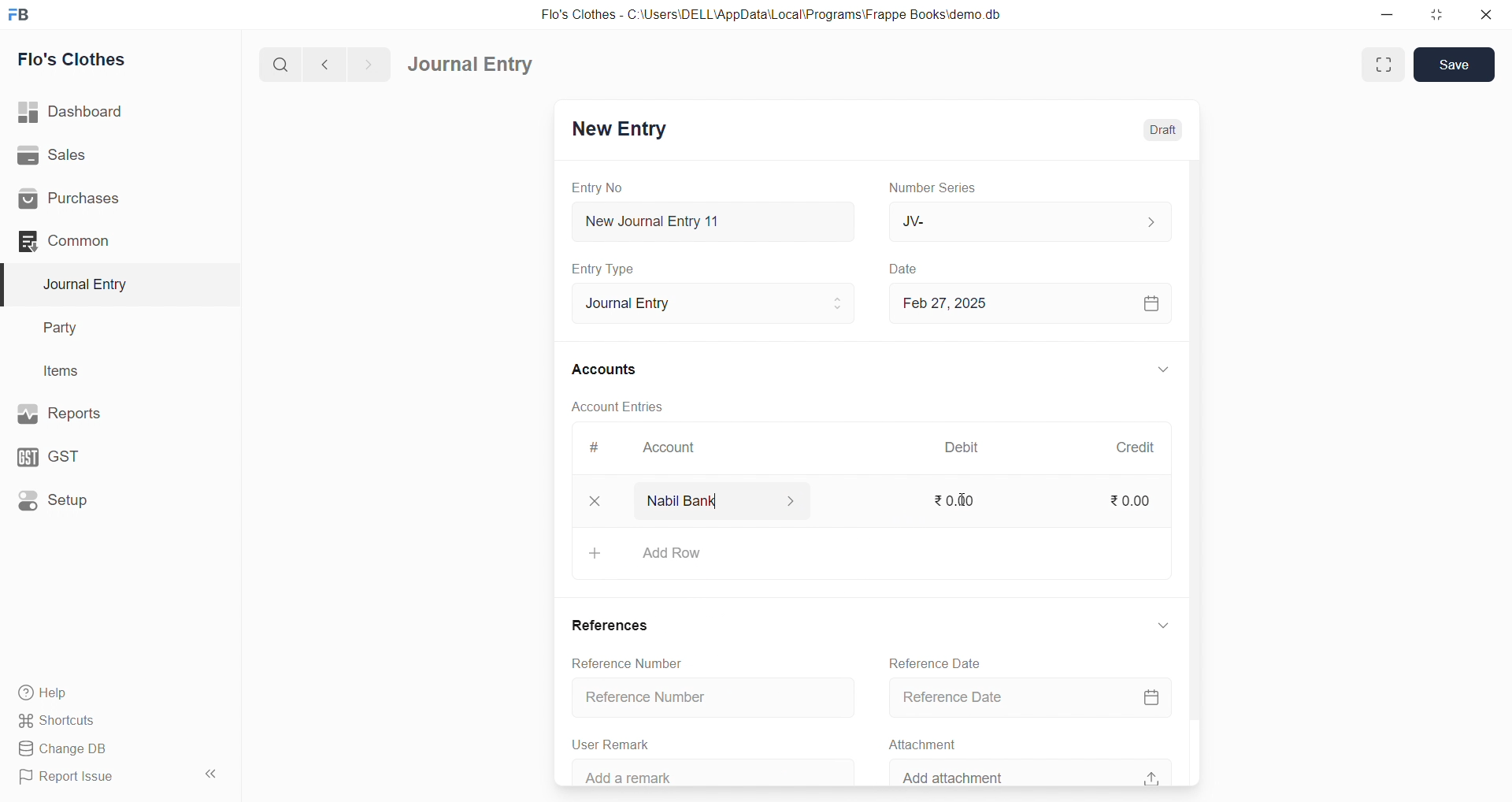  Describe the element at coordinates (713, 221) in the screenshot. I see `New Journal Entry 11` at that location.